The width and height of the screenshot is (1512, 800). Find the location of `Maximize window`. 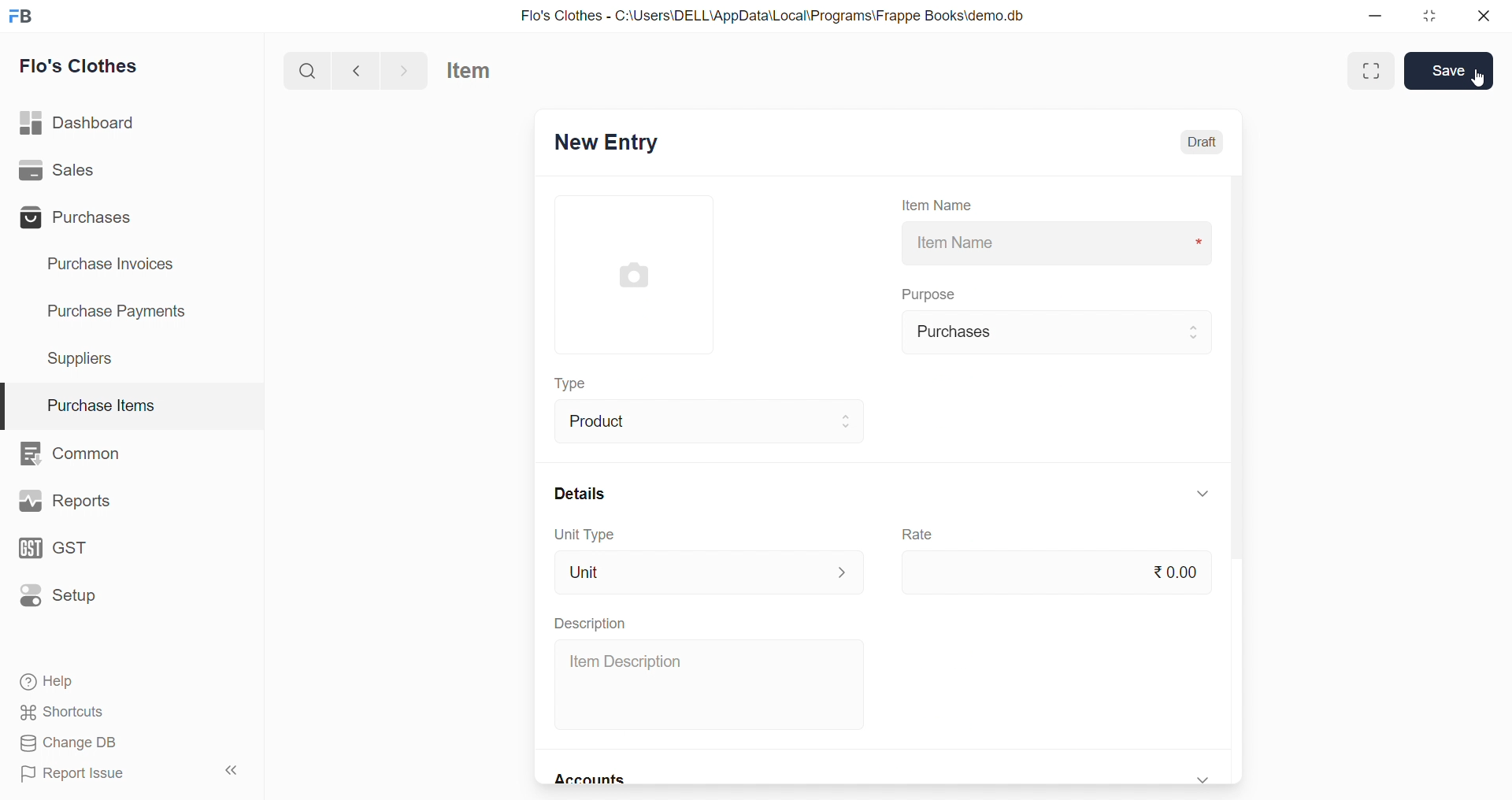

Maximize window is located at coordinates (1373, 71).